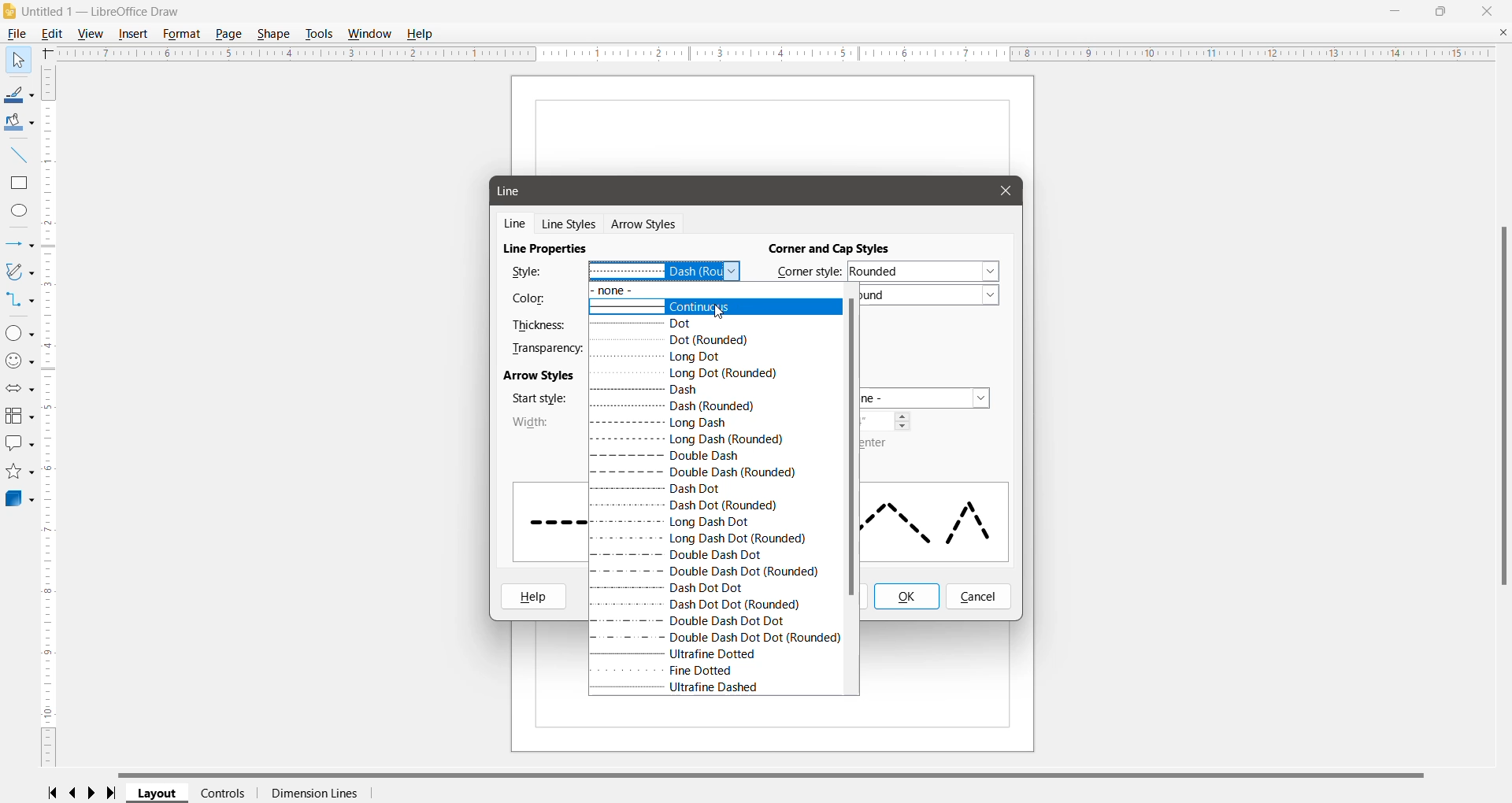 The height and width of the screenshot is (803, 1512). Describe the element at coordinates (421, 33) in the screenshot. I see `Help` at that location.